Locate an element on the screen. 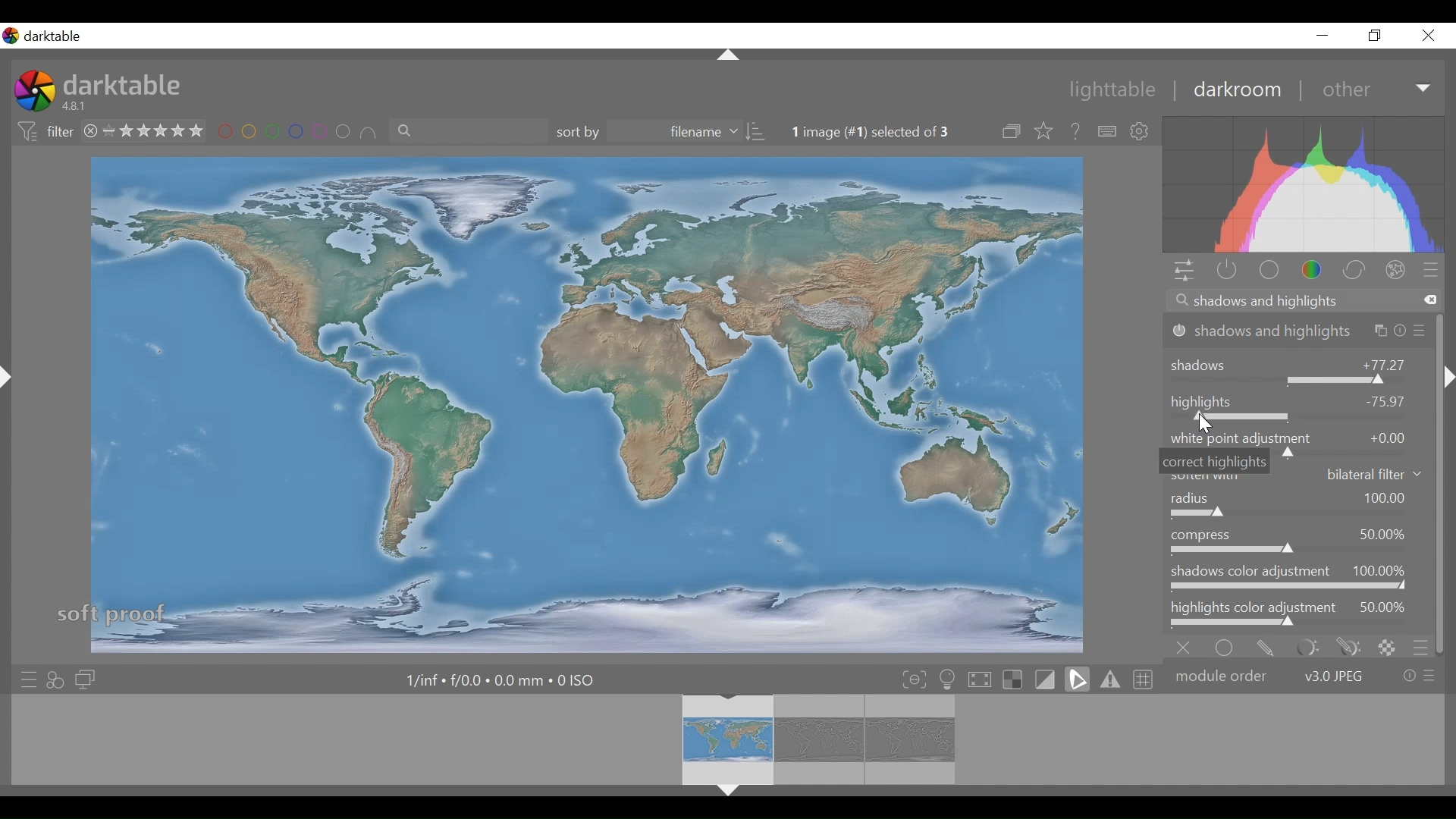 This screenshot has width=1456, height=819. shadows is located at coordinates (1298, 367).